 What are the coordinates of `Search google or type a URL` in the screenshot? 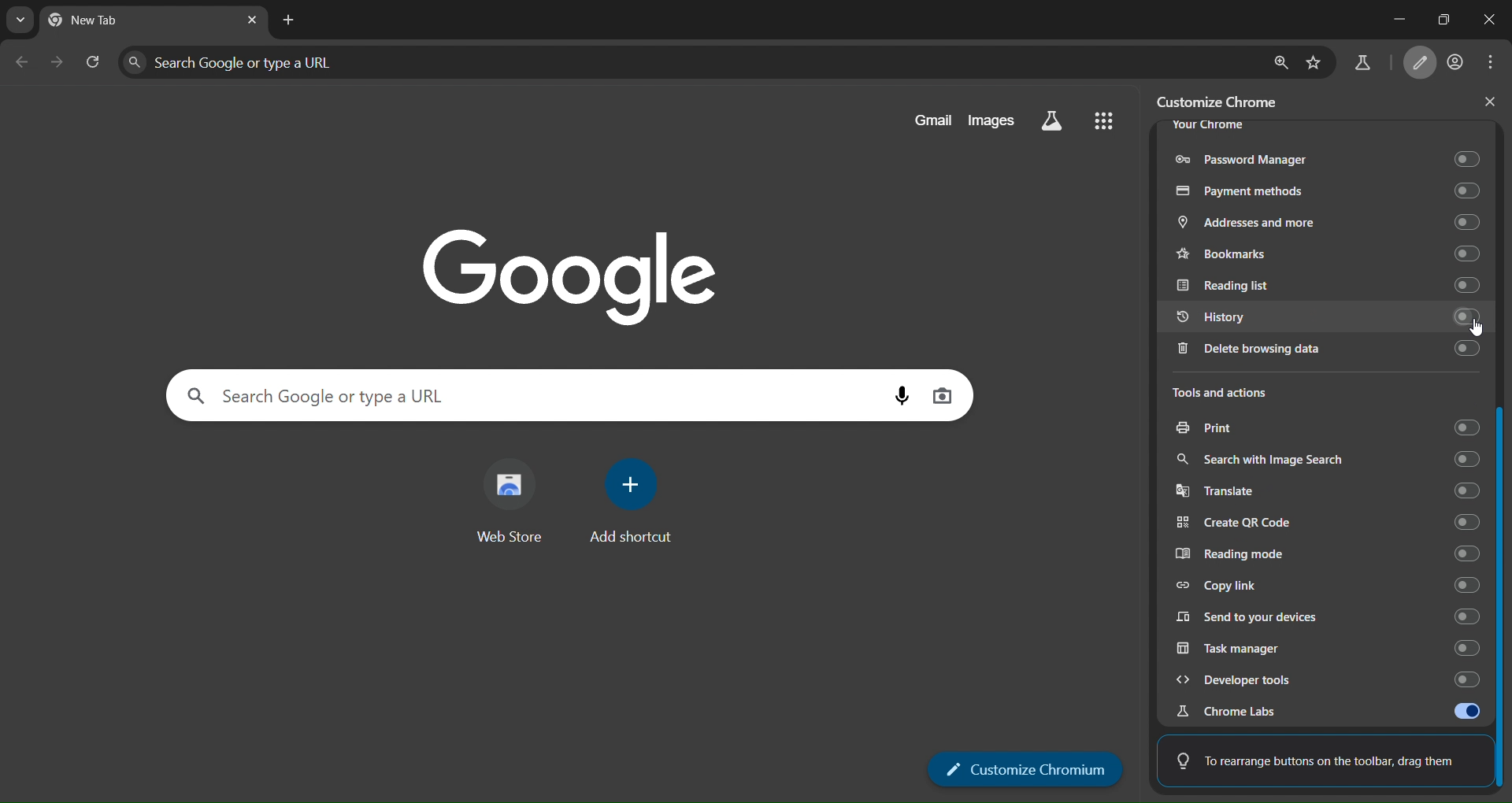 It's located at (531, 396).